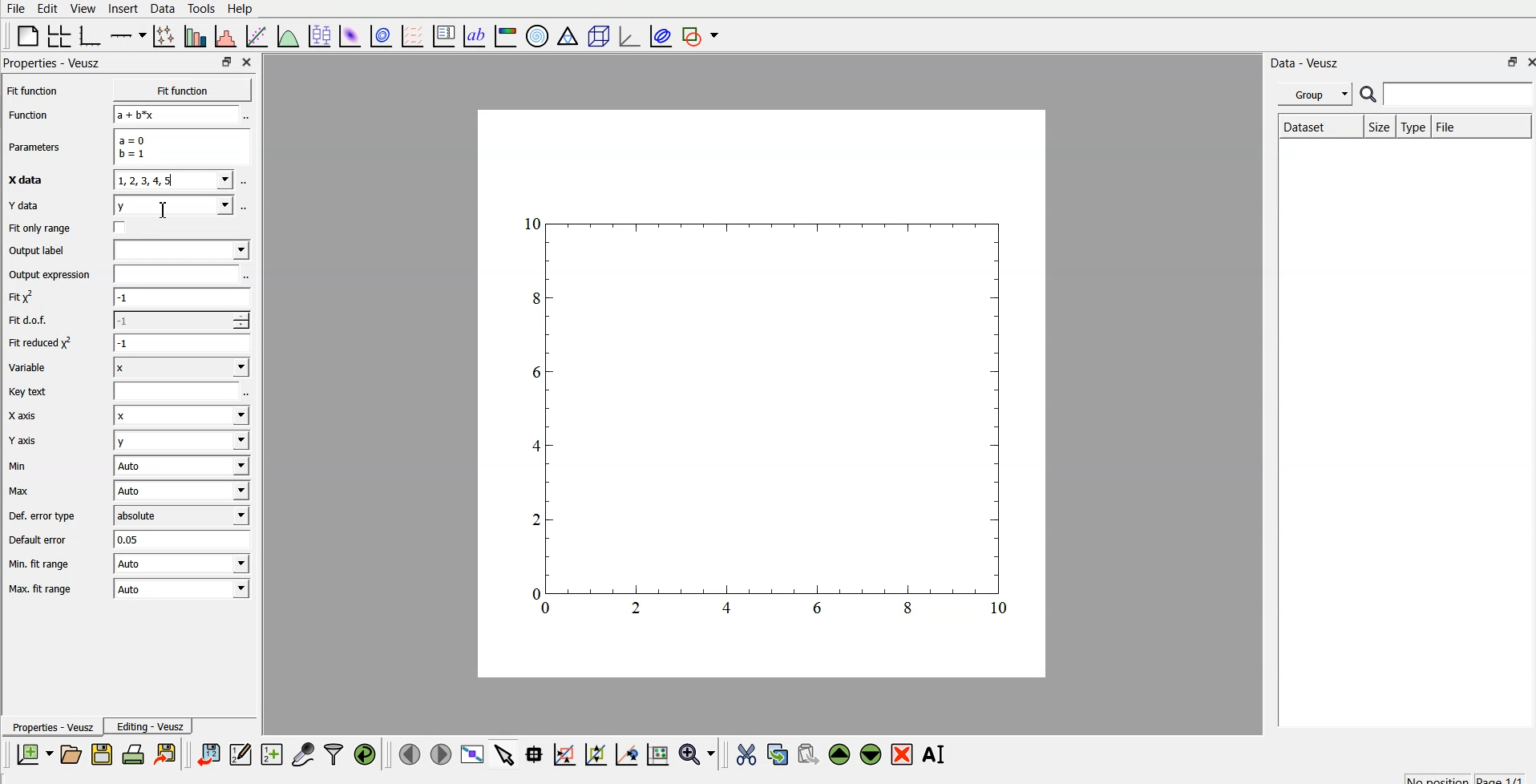  What do you see at coordinates (474, 756) in the screenshot?
I see `view plot fullscreen` at bounding box center [474, 756].